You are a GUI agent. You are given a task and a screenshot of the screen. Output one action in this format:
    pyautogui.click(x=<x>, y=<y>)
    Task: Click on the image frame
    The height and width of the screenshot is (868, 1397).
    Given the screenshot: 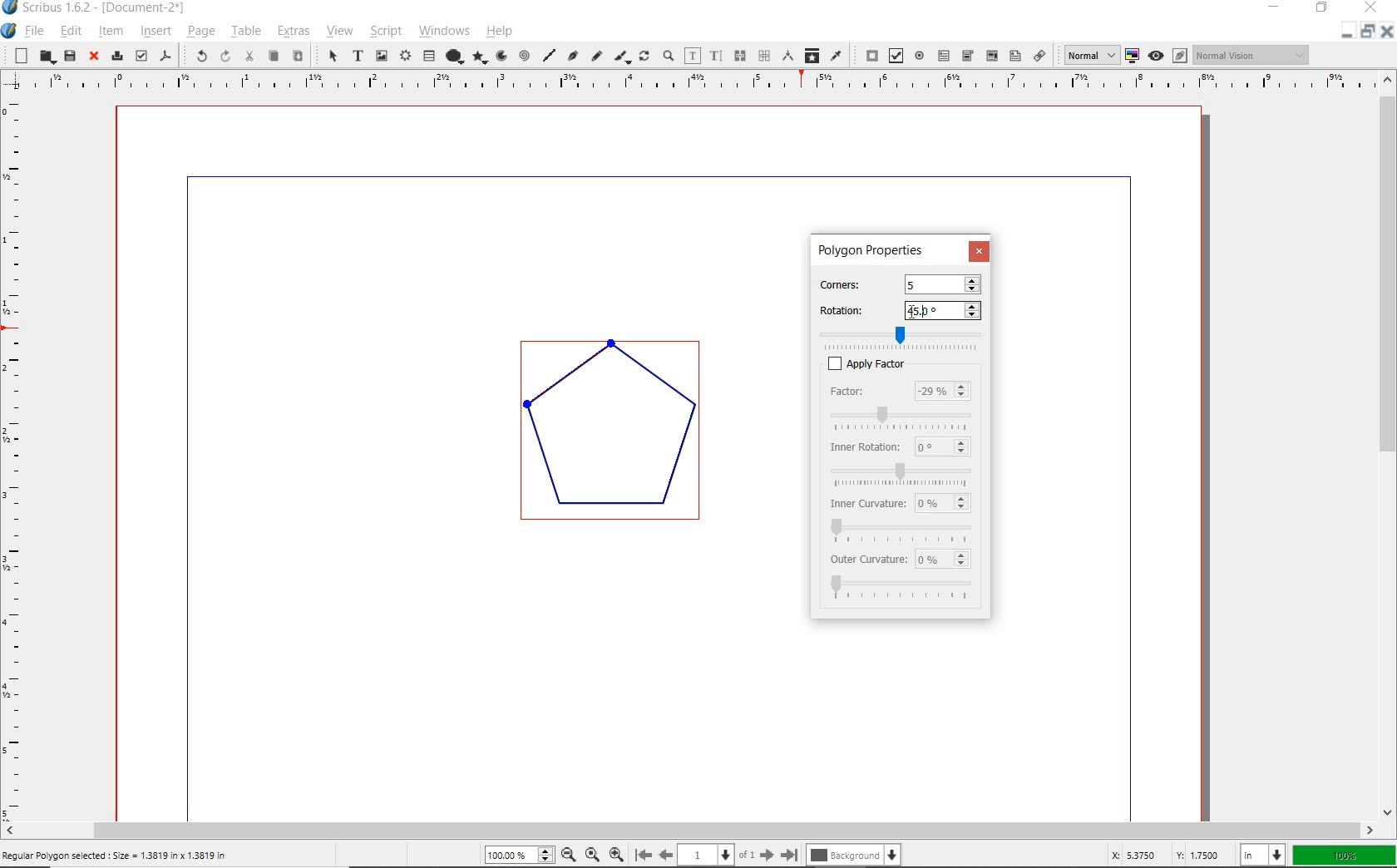 What is the action you would take?
    pyautogui.click(x=380, y=55)
    